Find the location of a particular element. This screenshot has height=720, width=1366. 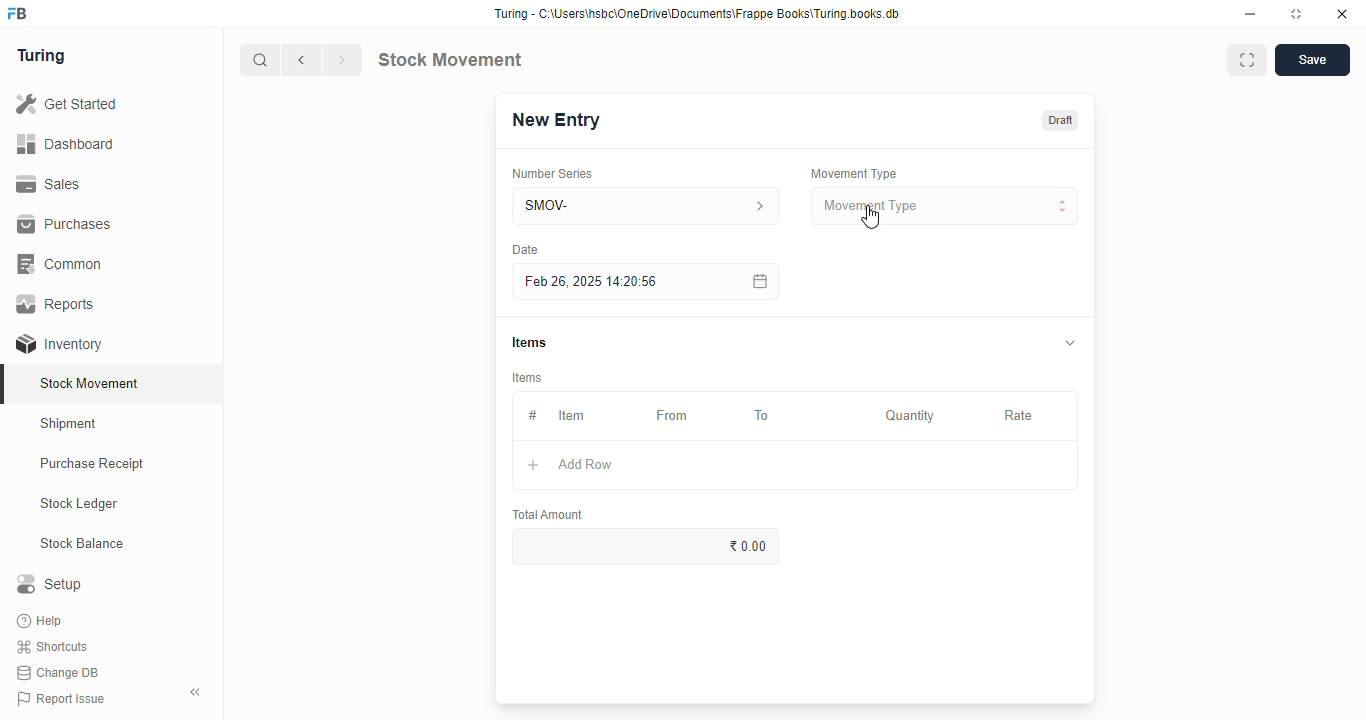

common is located at coordinates (62, 264).